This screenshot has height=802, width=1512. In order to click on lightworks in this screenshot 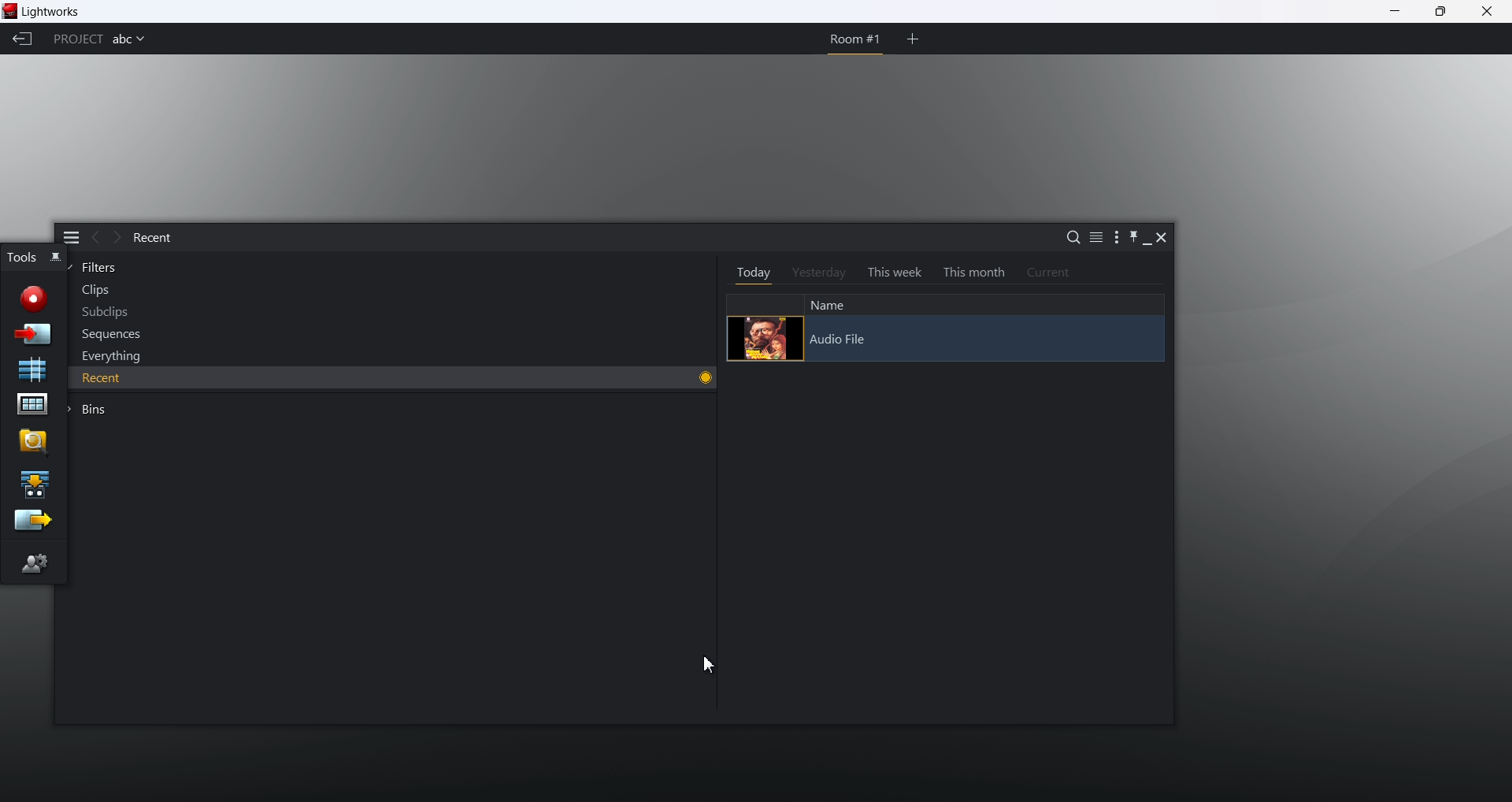, I will do `click(58, 11)`.